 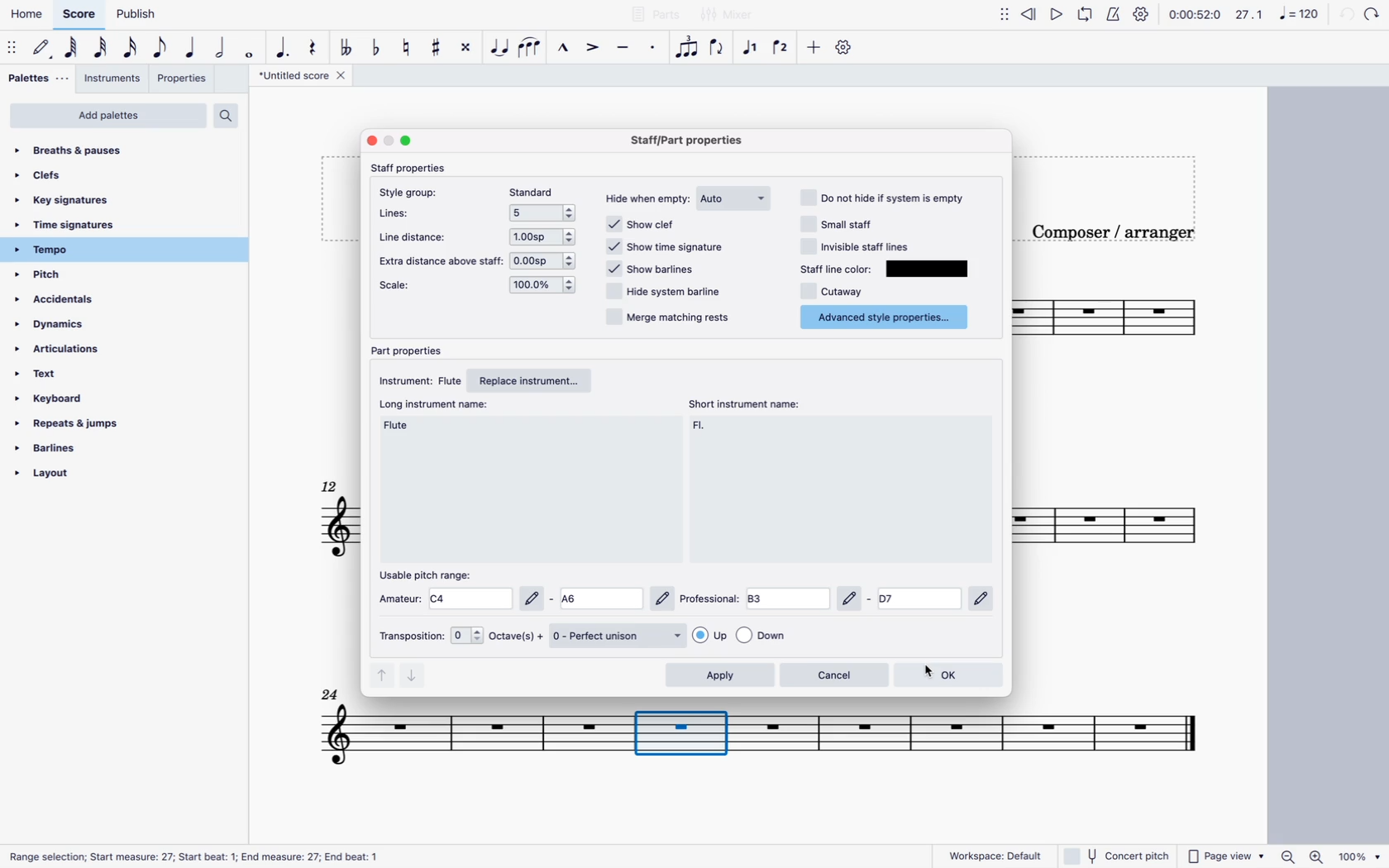 I want to click on search, so click(x=229, y=116).